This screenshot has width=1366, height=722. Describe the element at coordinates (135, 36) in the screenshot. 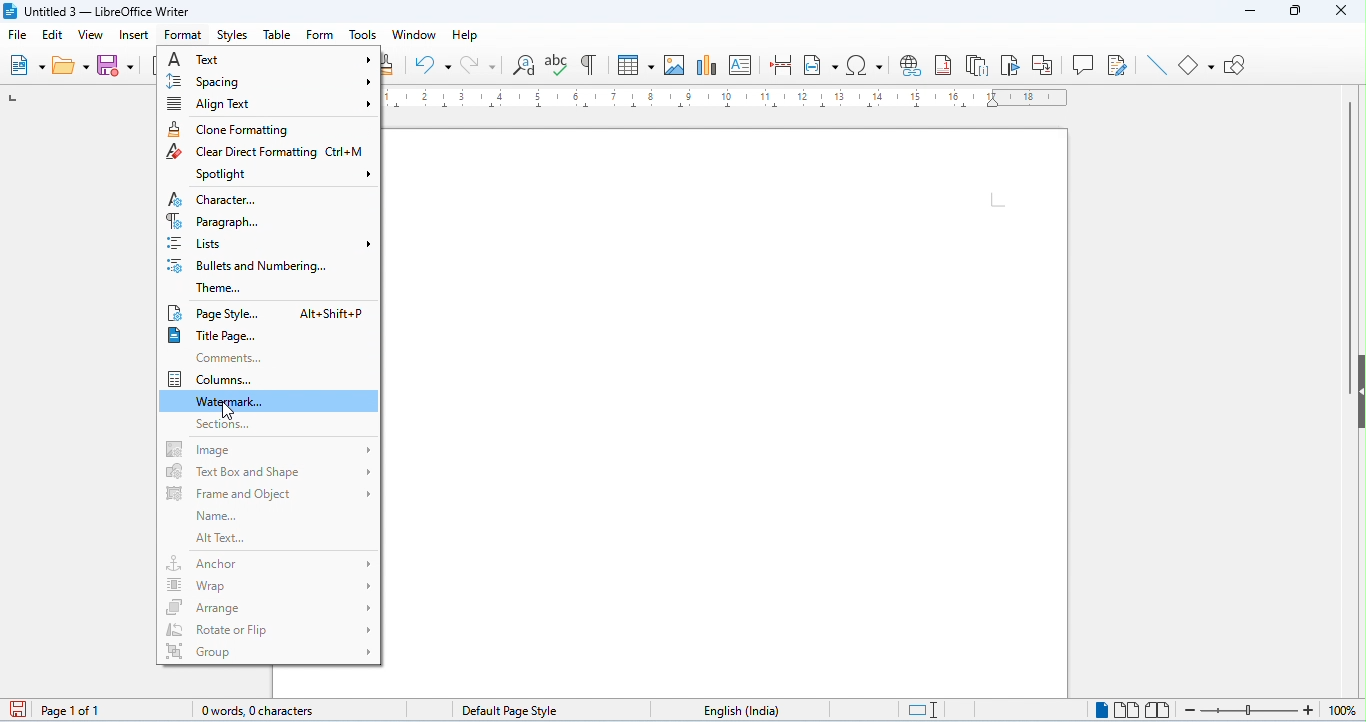

I see `insert` at that location.